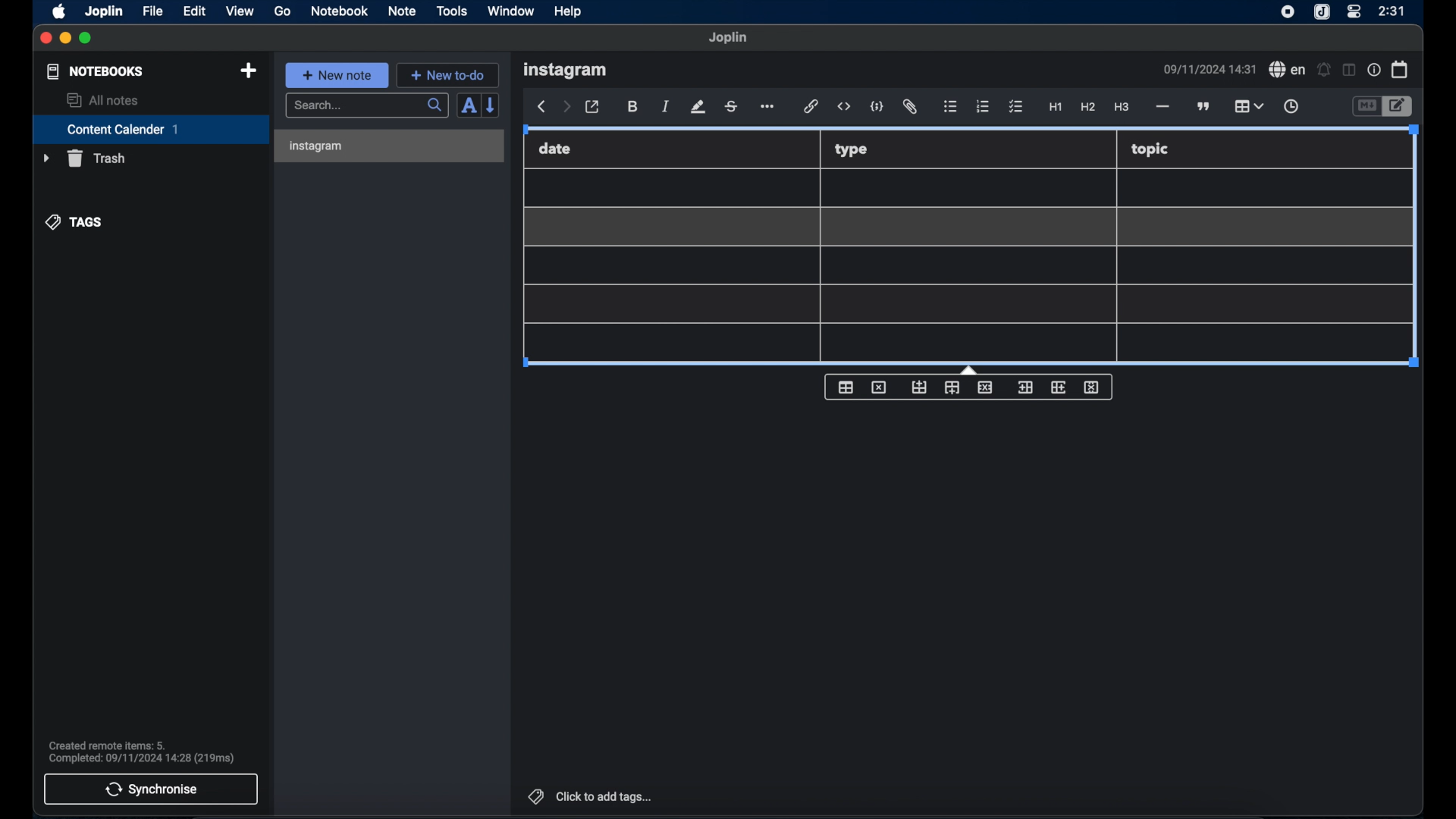 The height and width of the screenshot is (819, 1456). What do you see at coordinates (565, 71) in the screenshot?
I see `instagram` at bounding box center [565, 71].